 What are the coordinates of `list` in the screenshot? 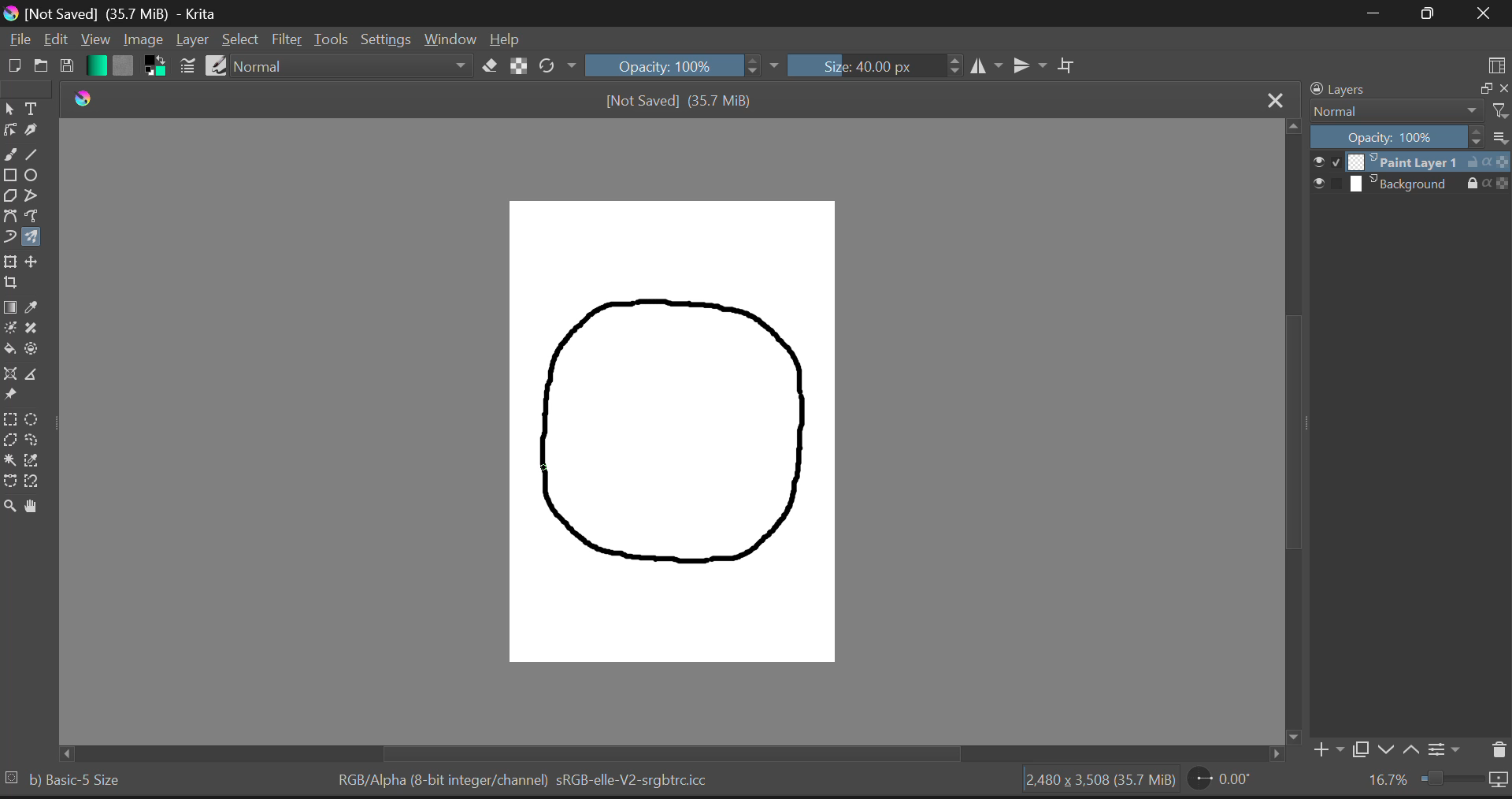 It's located at (1499, 137).